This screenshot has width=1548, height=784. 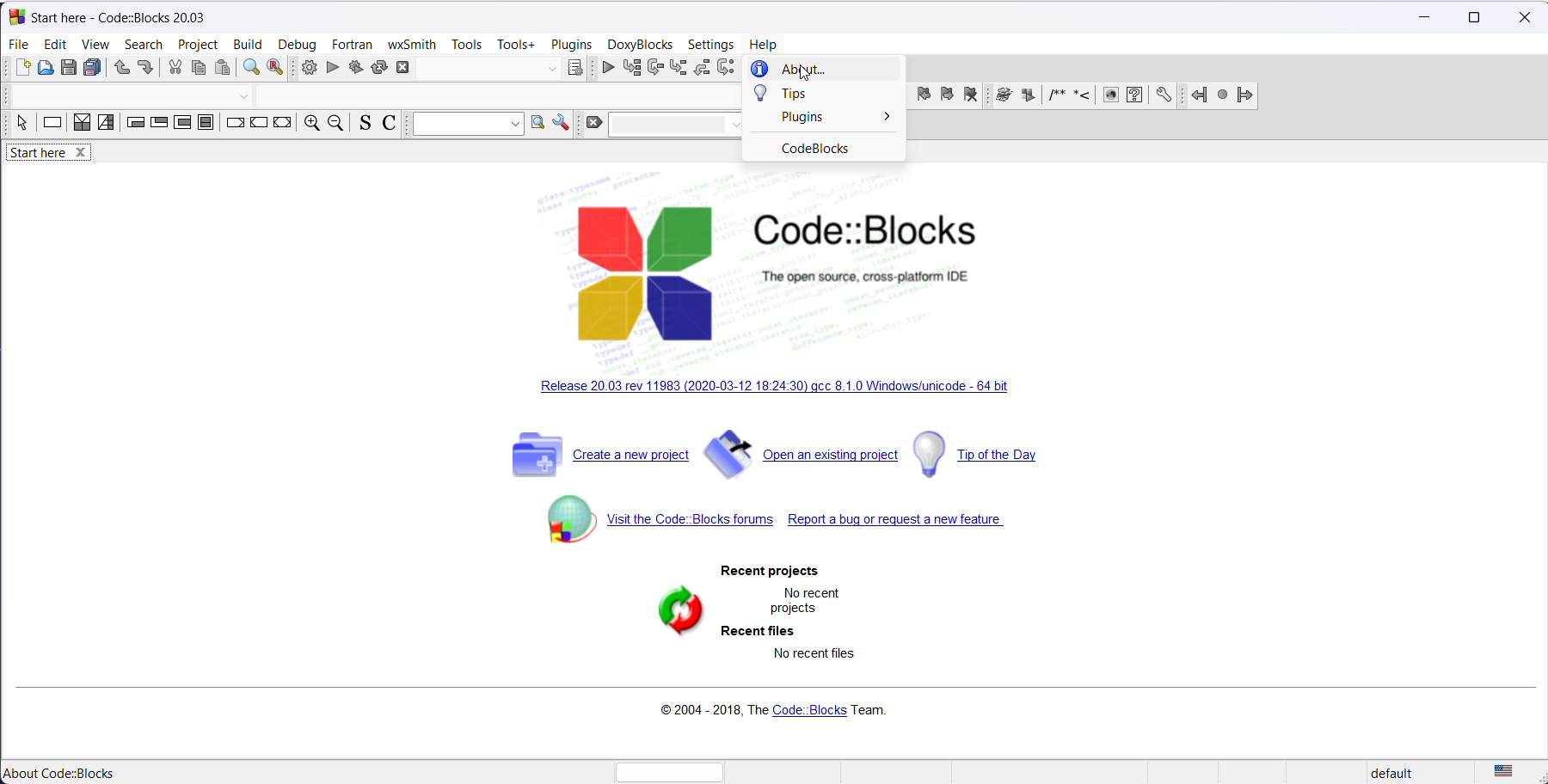 I want to click on replace, so click(x=278, y=70).